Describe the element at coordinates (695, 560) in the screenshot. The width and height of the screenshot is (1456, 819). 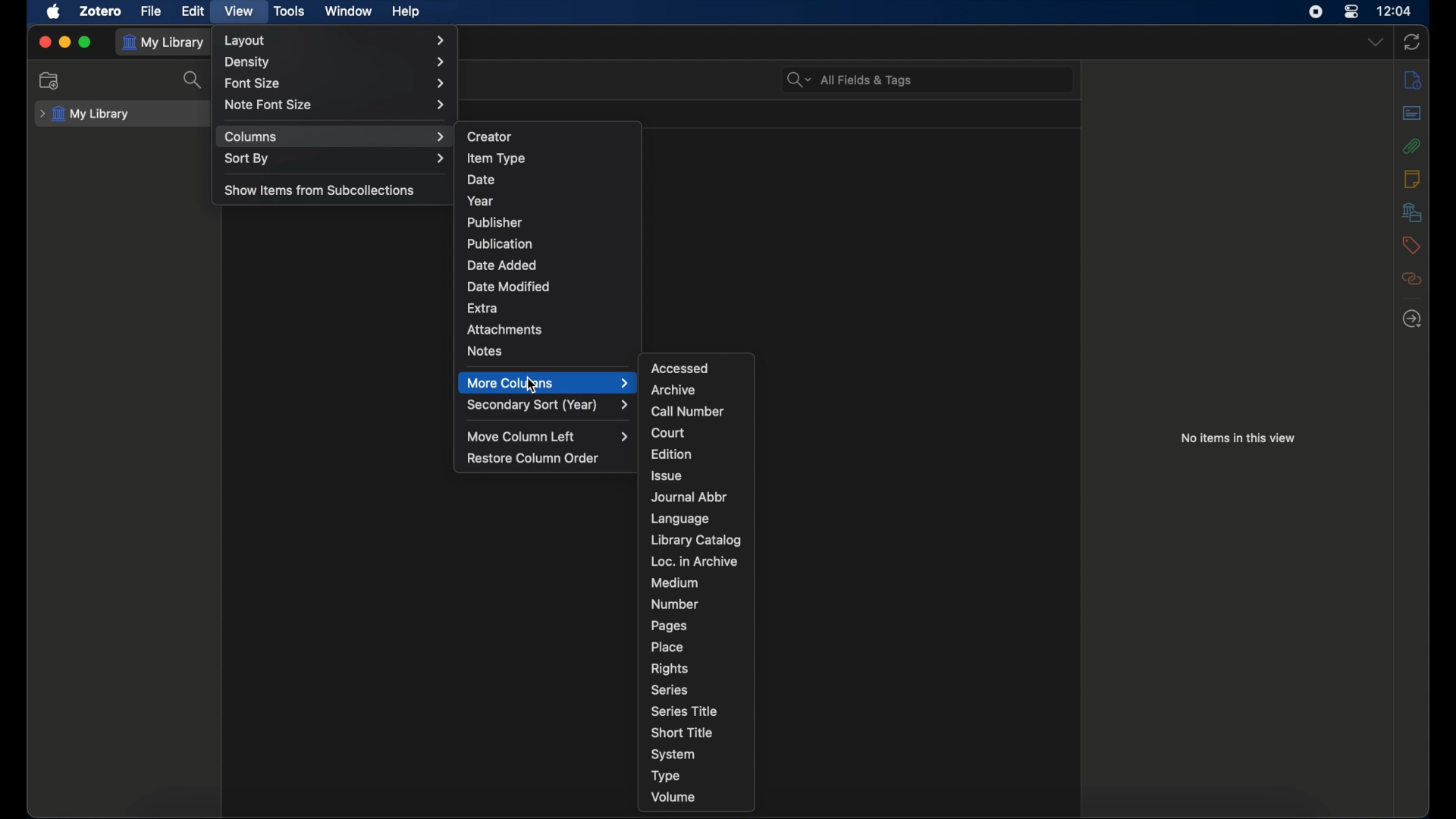
I see `loc. in archive` at that location.